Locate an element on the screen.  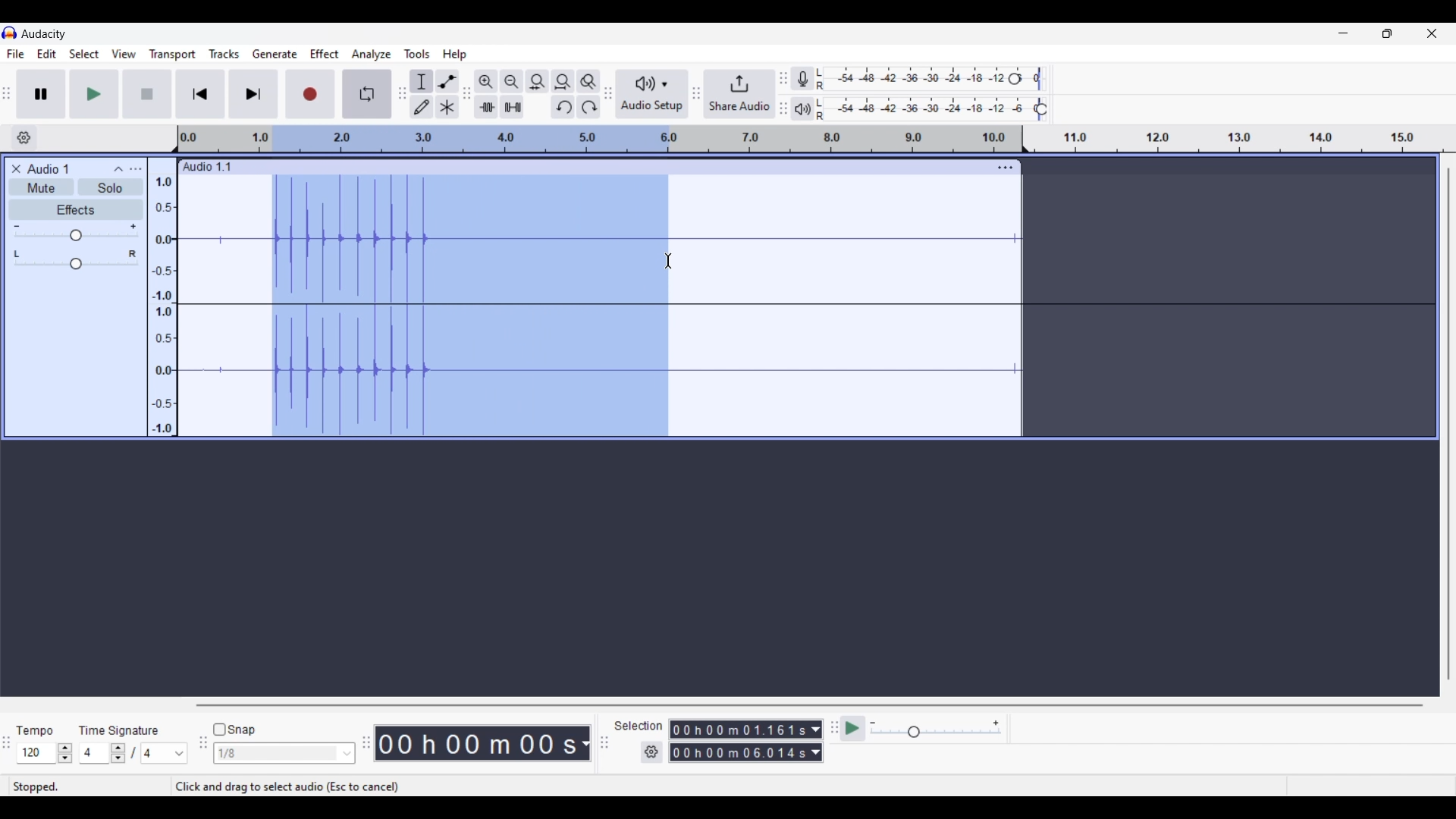
Close is located at coordinates (16, 169).